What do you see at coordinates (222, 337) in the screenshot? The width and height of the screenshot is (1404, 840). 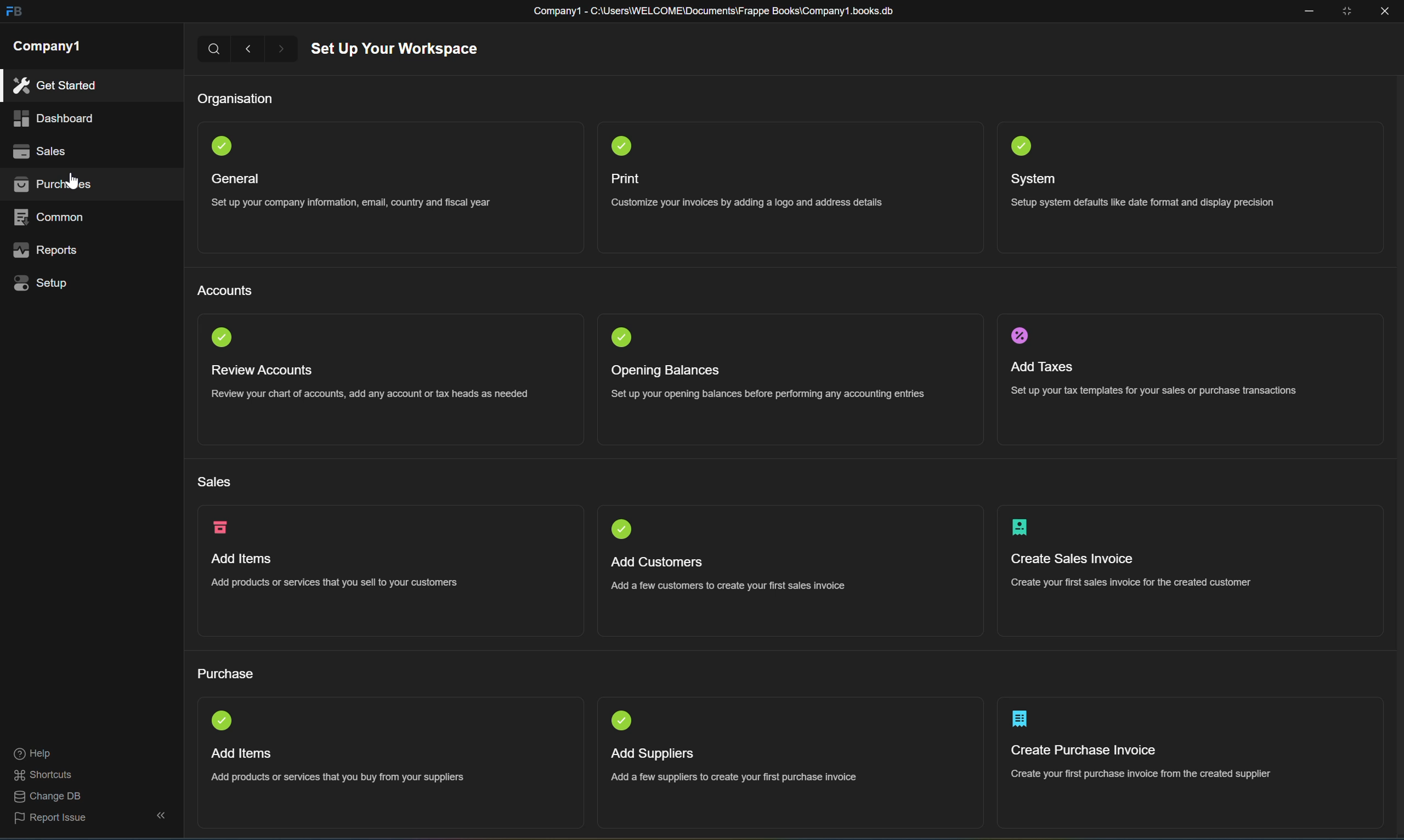 I see `logo` at bounding box center [222, 337].